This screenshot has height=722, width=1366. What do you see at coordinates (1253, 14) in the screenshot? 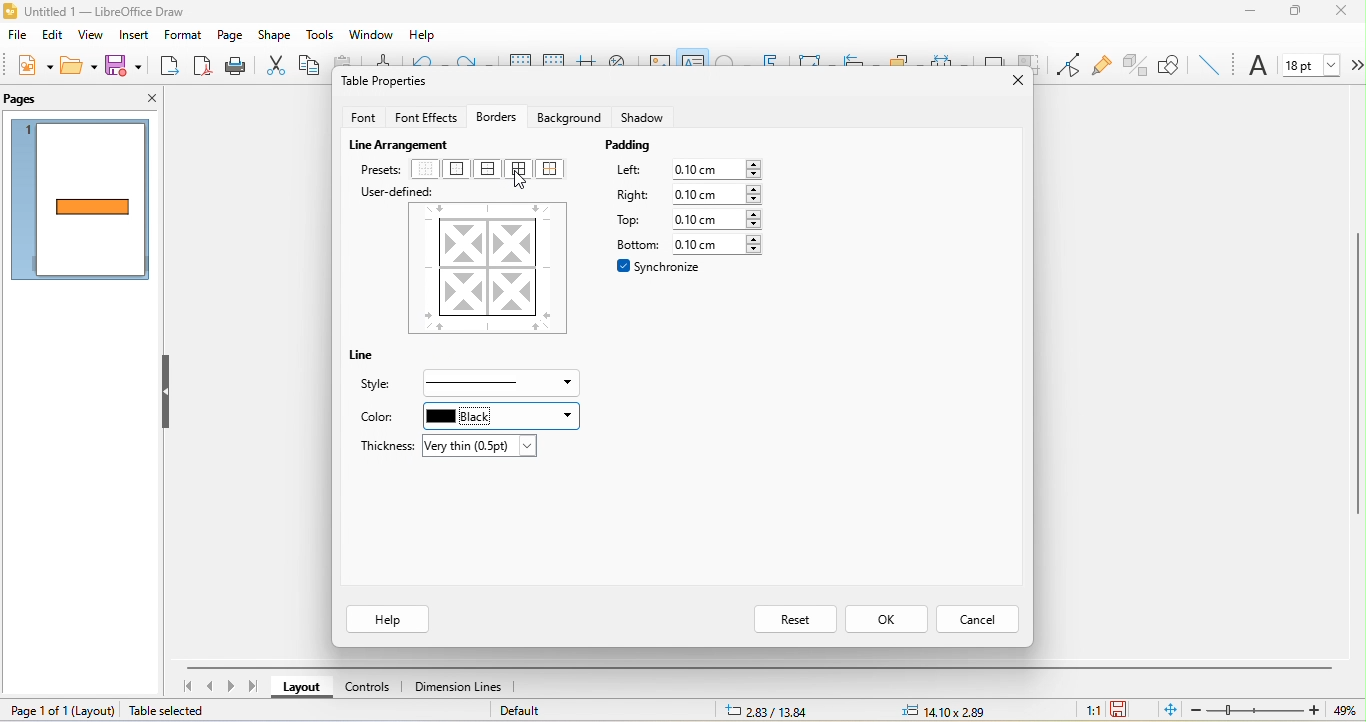
I see `minimize` at bounding box center [1253, 14].